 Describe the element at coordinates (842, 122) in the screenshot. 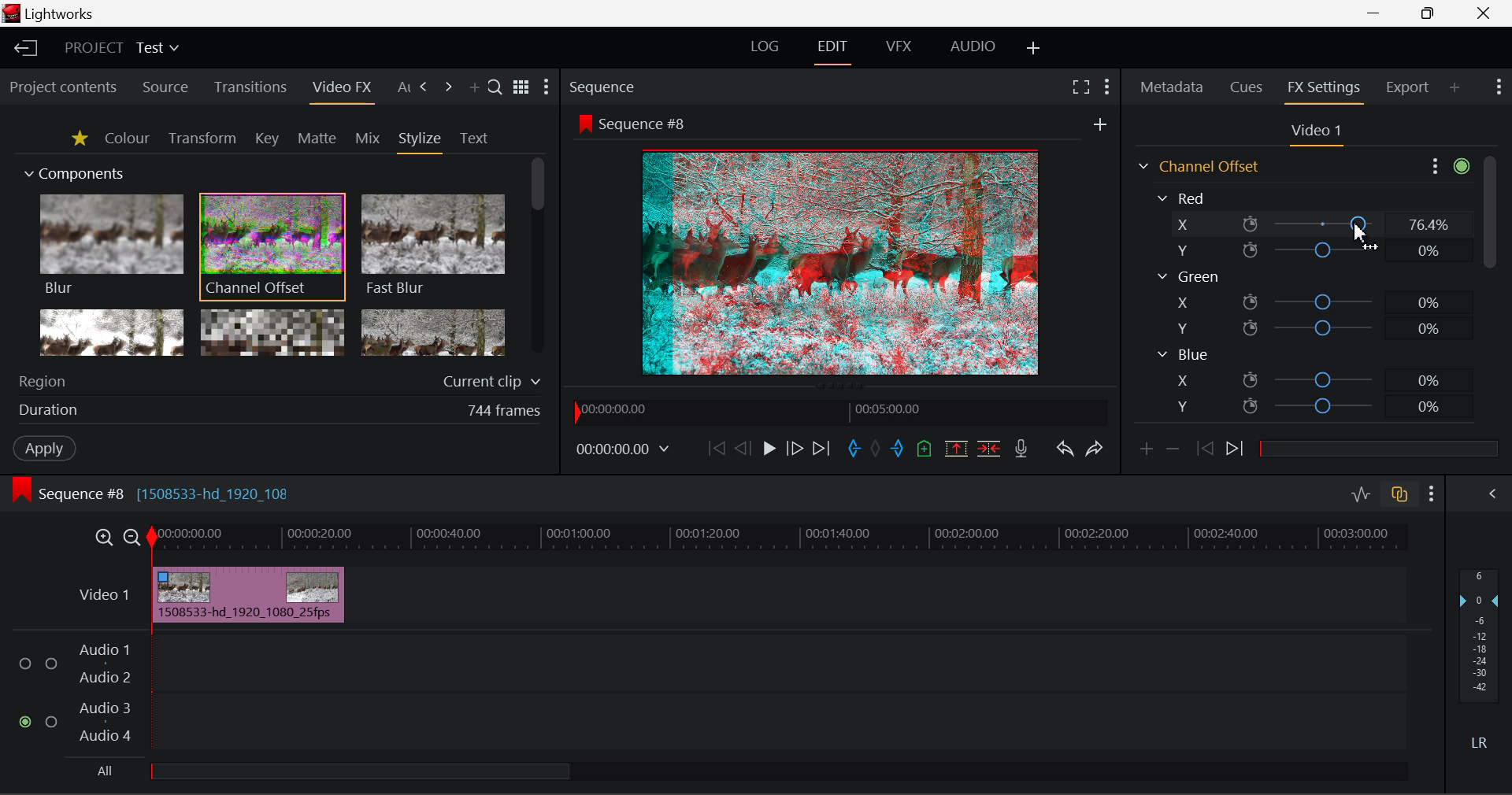

I see `Sequence Preview Screen Section` at that location.